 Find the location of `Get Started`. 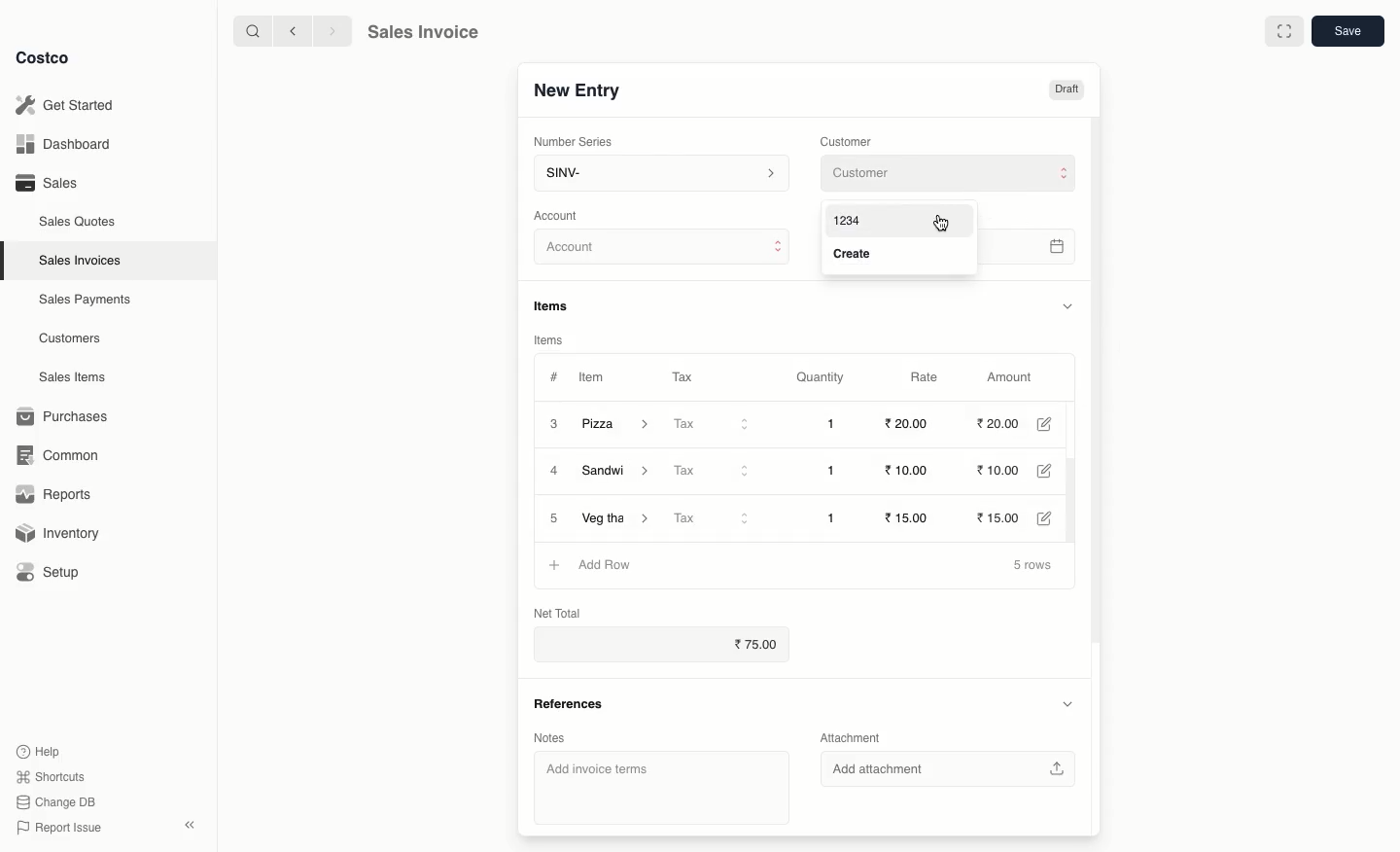

Get Started is located at coordinates (64, 104).